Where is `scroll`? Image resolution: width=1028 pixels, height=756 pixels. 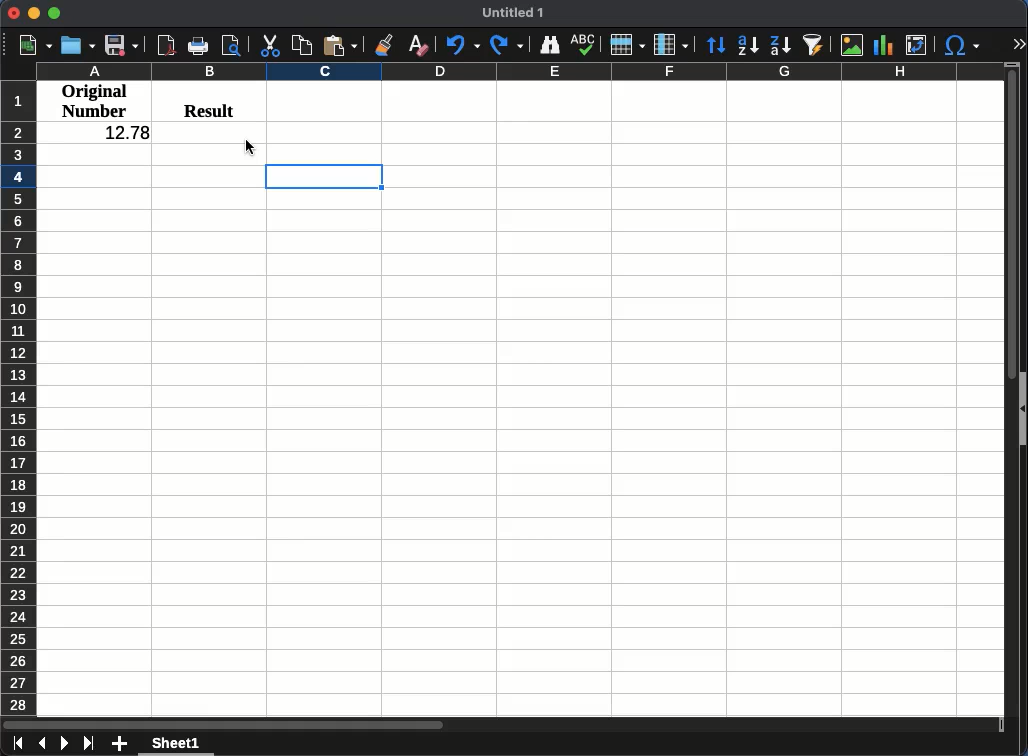
scroll is located at coordinates (1006, 387).